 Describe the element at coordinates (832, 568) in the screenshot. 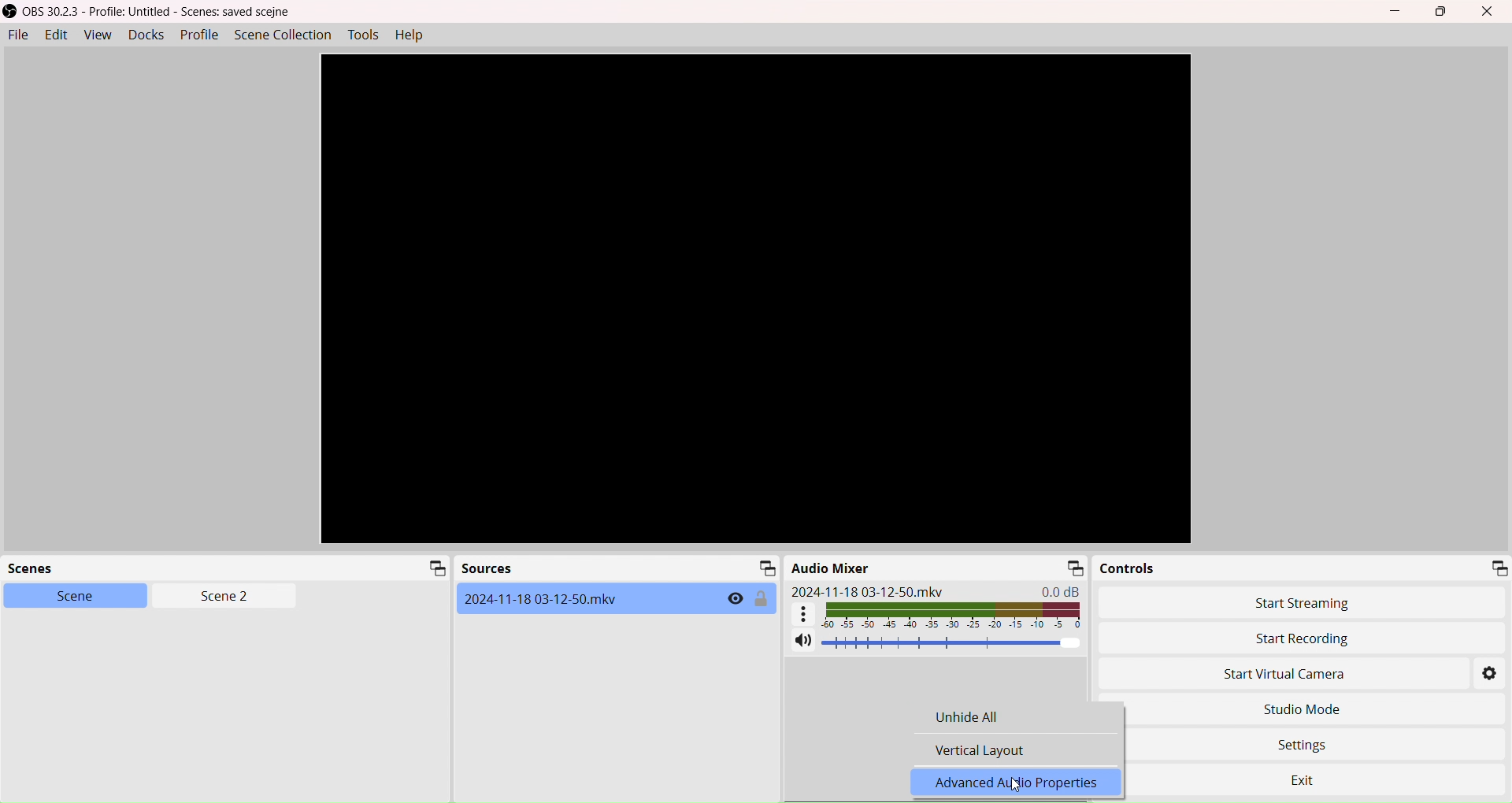

I see `Audio Mixer` at that location.